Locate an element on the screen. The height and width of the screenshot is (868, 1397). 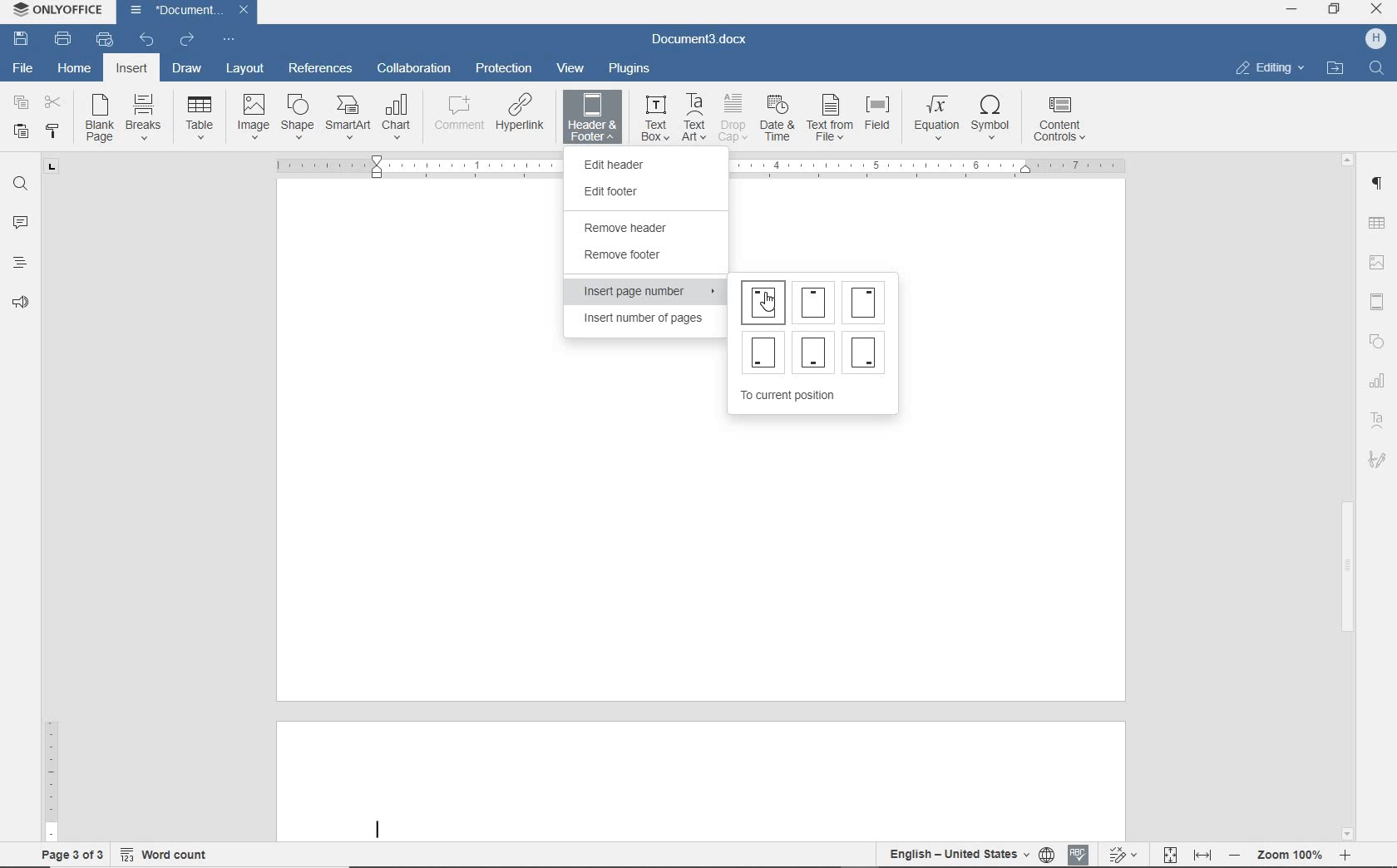
Signature is located at coordinates (1374, 465).